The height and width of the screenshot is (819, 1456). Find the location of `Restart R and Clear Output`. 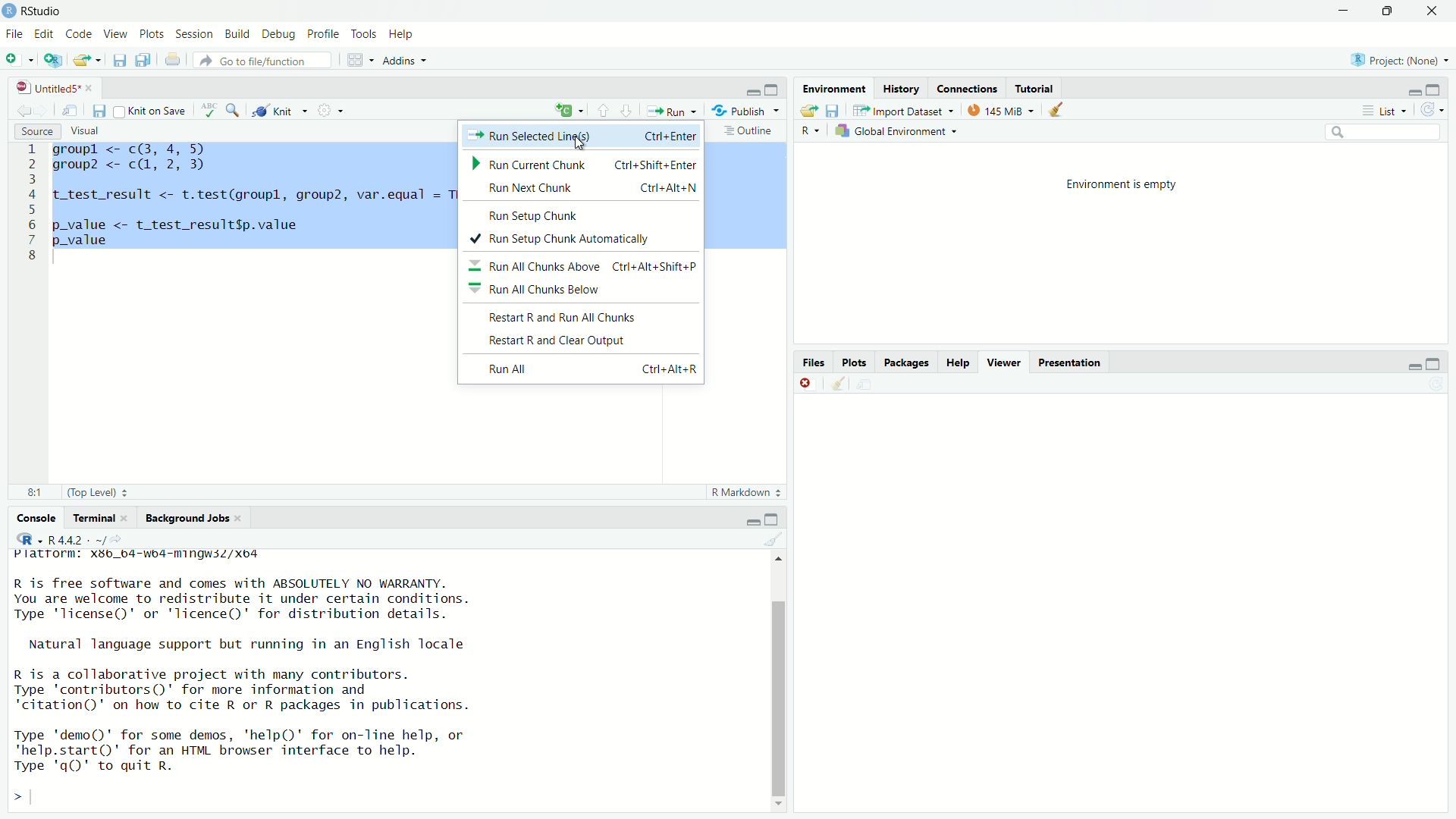

Restart R and Clear Output is located at coordinates (559, 341).